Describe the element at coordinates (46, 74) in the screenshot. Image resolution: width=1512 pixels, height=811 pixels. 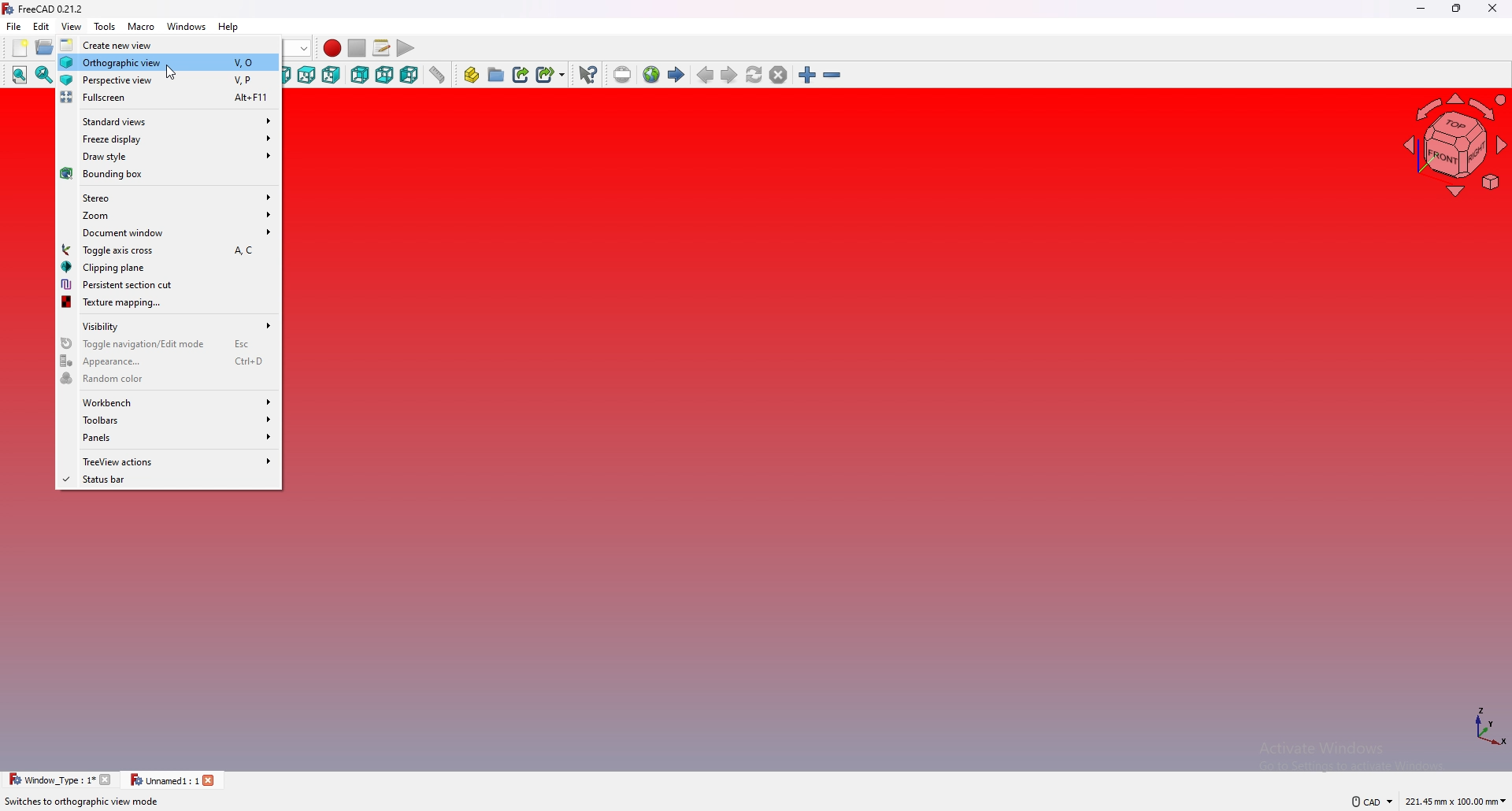
I see `fit selection` at that location.